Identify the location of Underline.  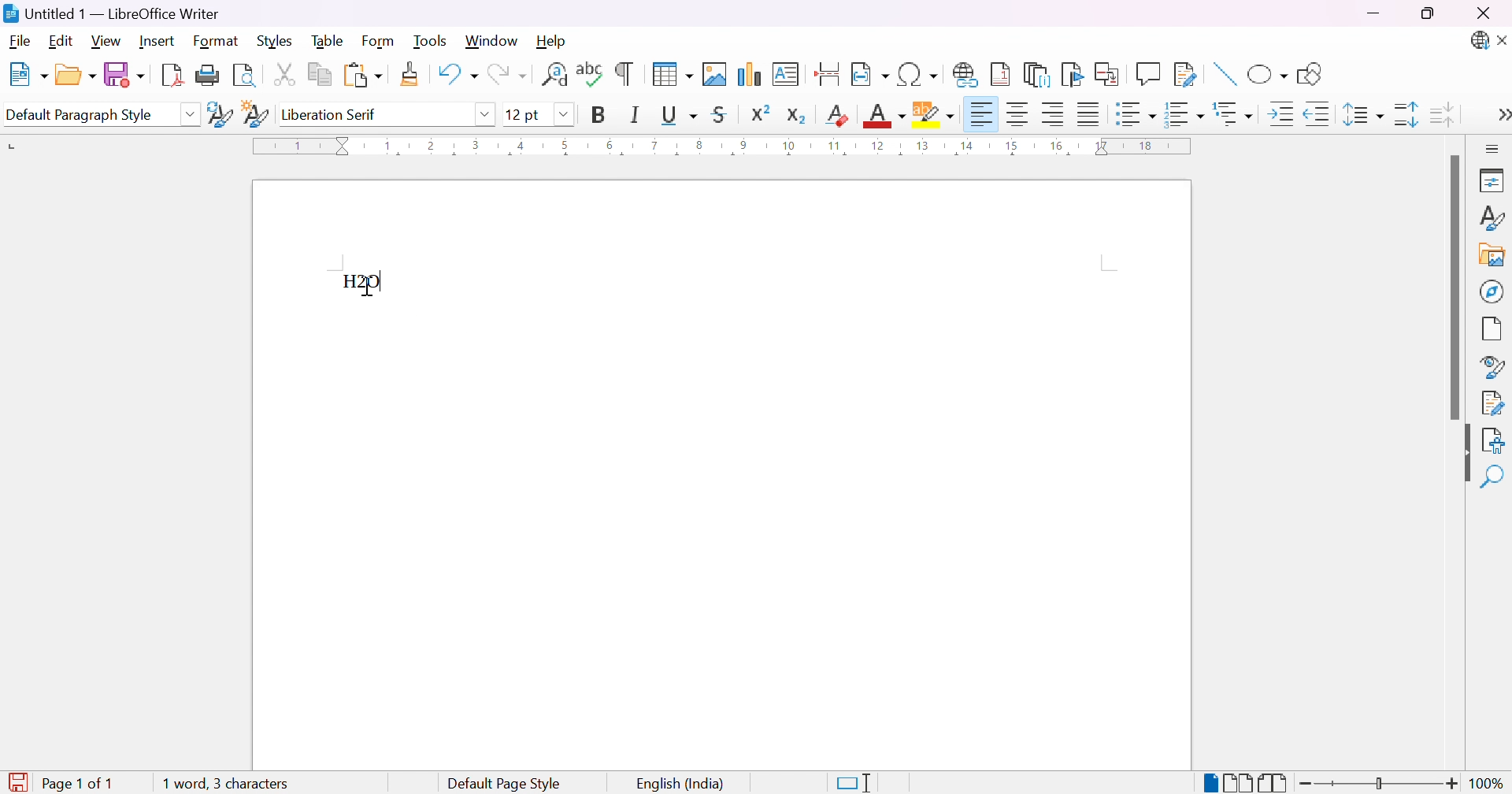
(678, 114).